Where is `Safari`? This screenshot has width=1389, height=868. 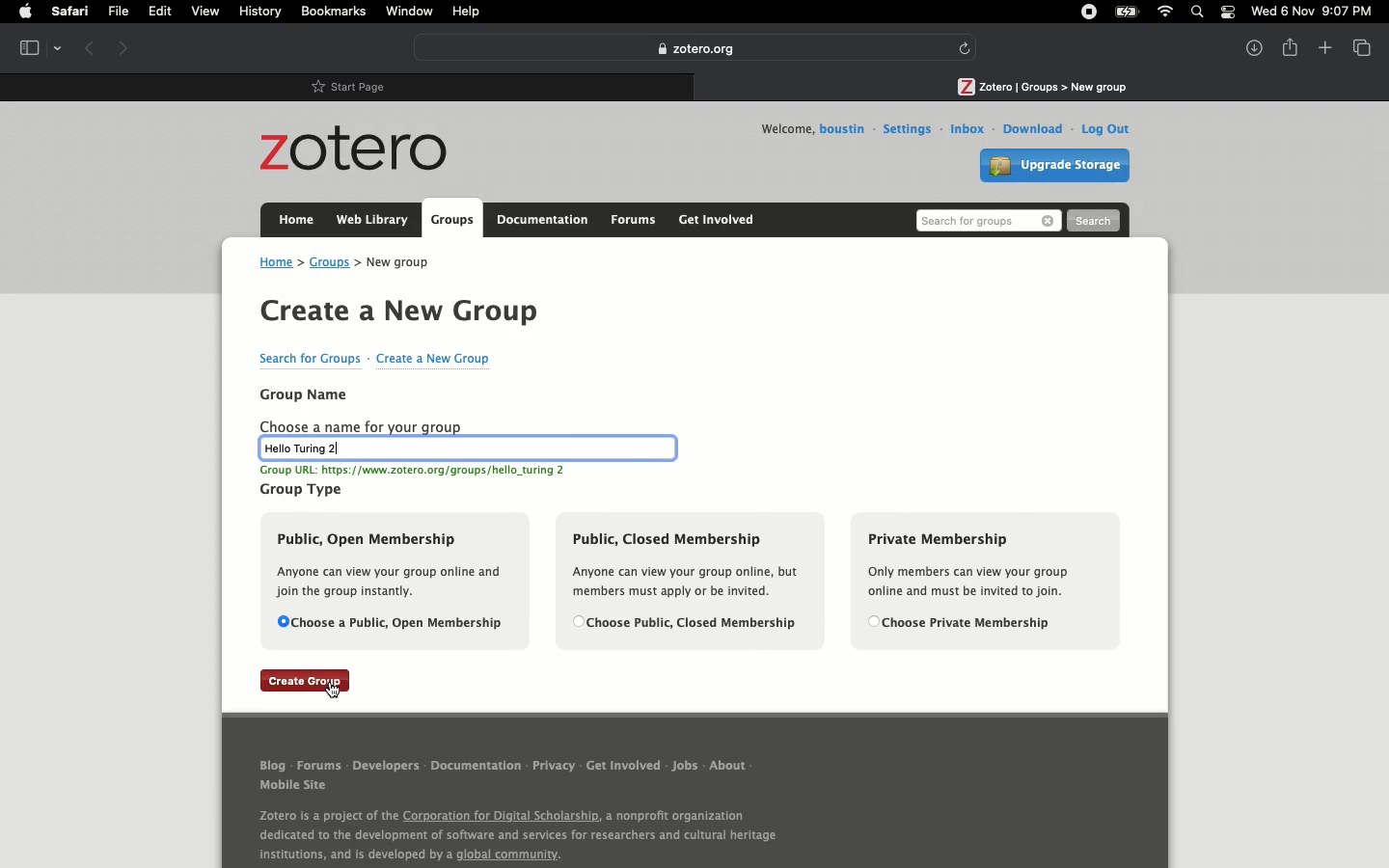
Safari is located at coordinates (72, 12).